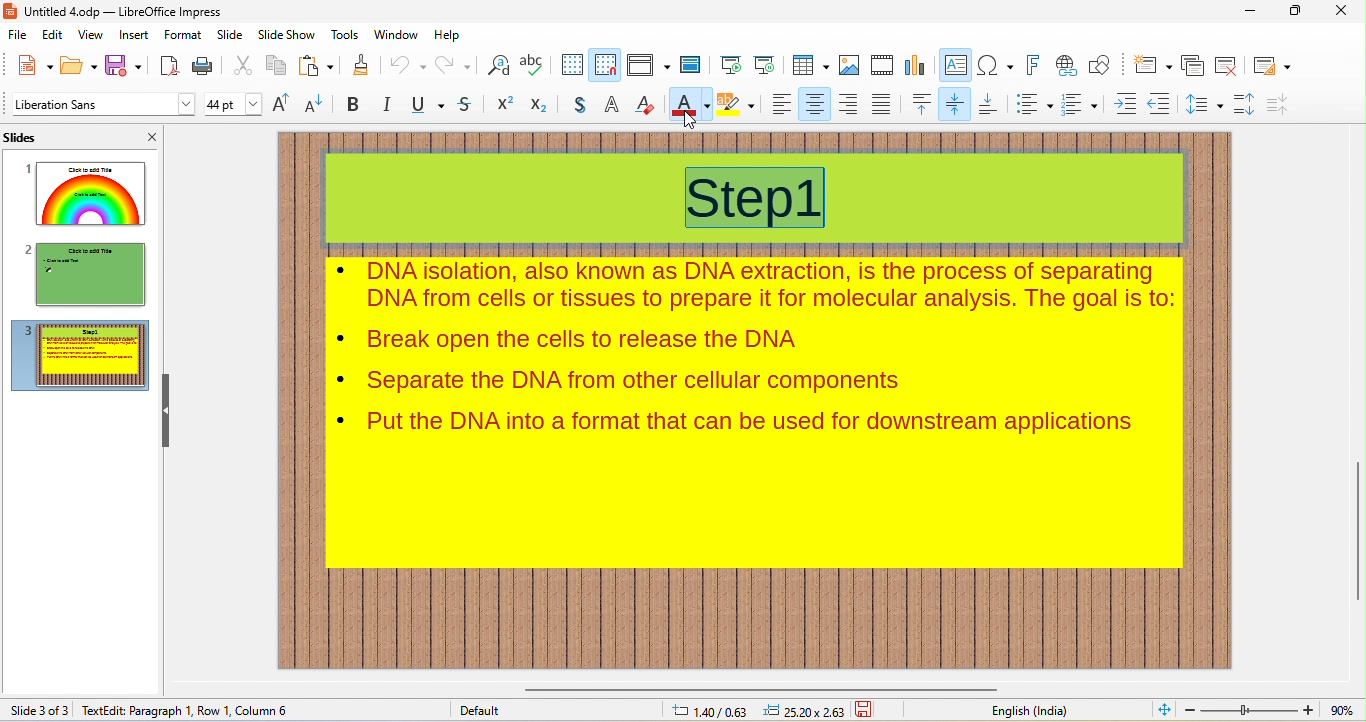 The image size is (1366, 722). I want to click on image, so click(848, 65).